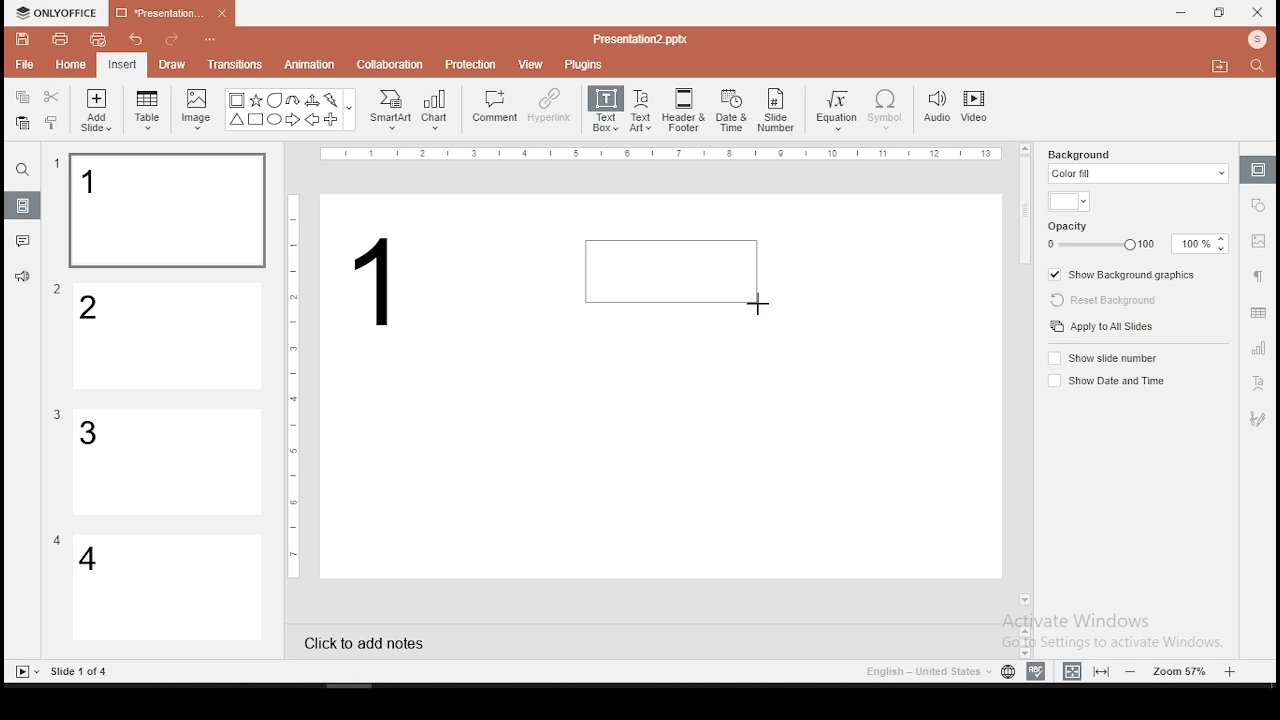  What do you see at coordinates (1258, 169) in the screenshot?
I see `slide settings` at bounding box center [1258, 169].